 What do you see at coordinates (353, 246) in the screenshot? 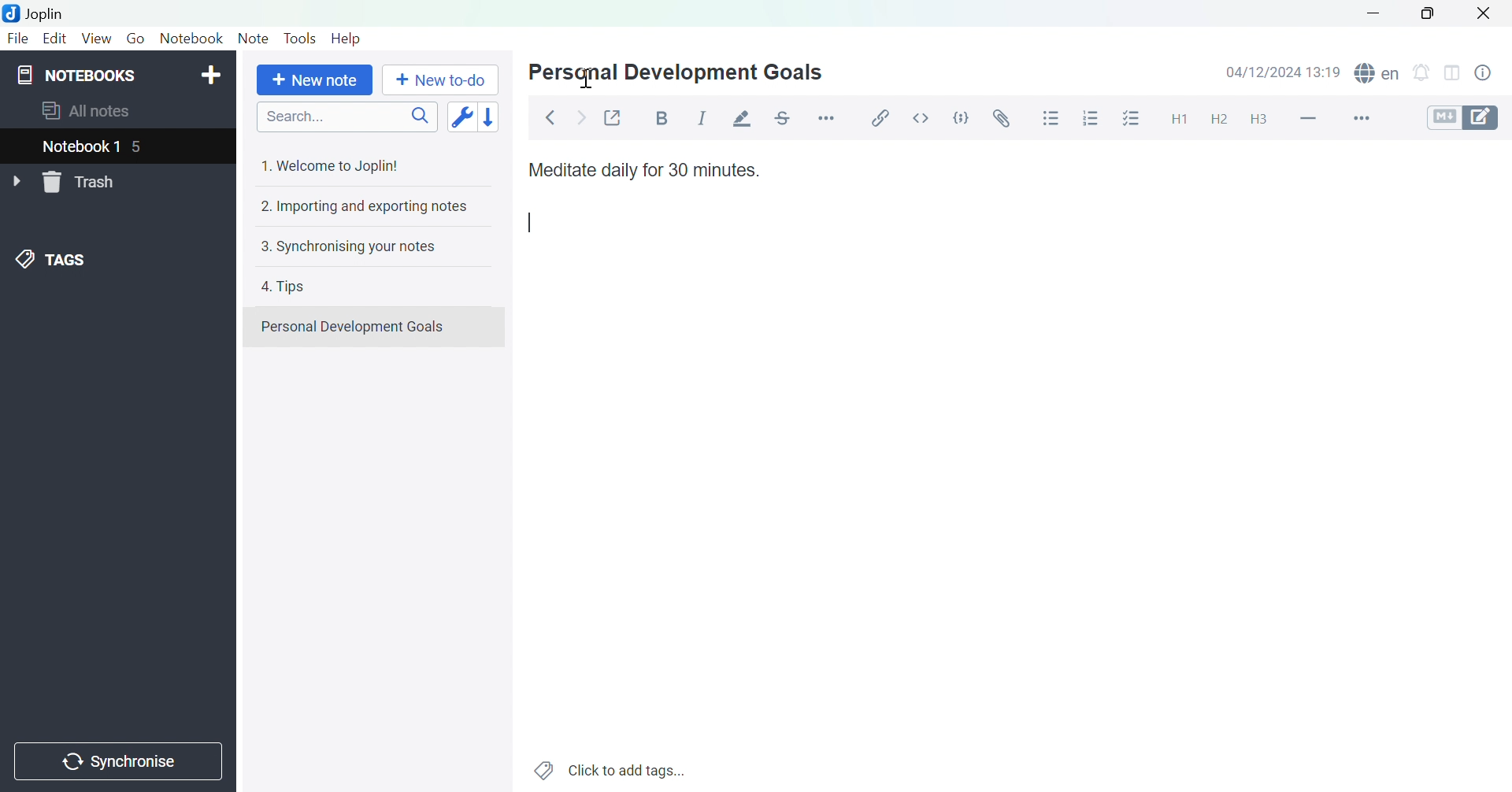
I see `3. Synchronising your notes` at bounding box center [353, 246].